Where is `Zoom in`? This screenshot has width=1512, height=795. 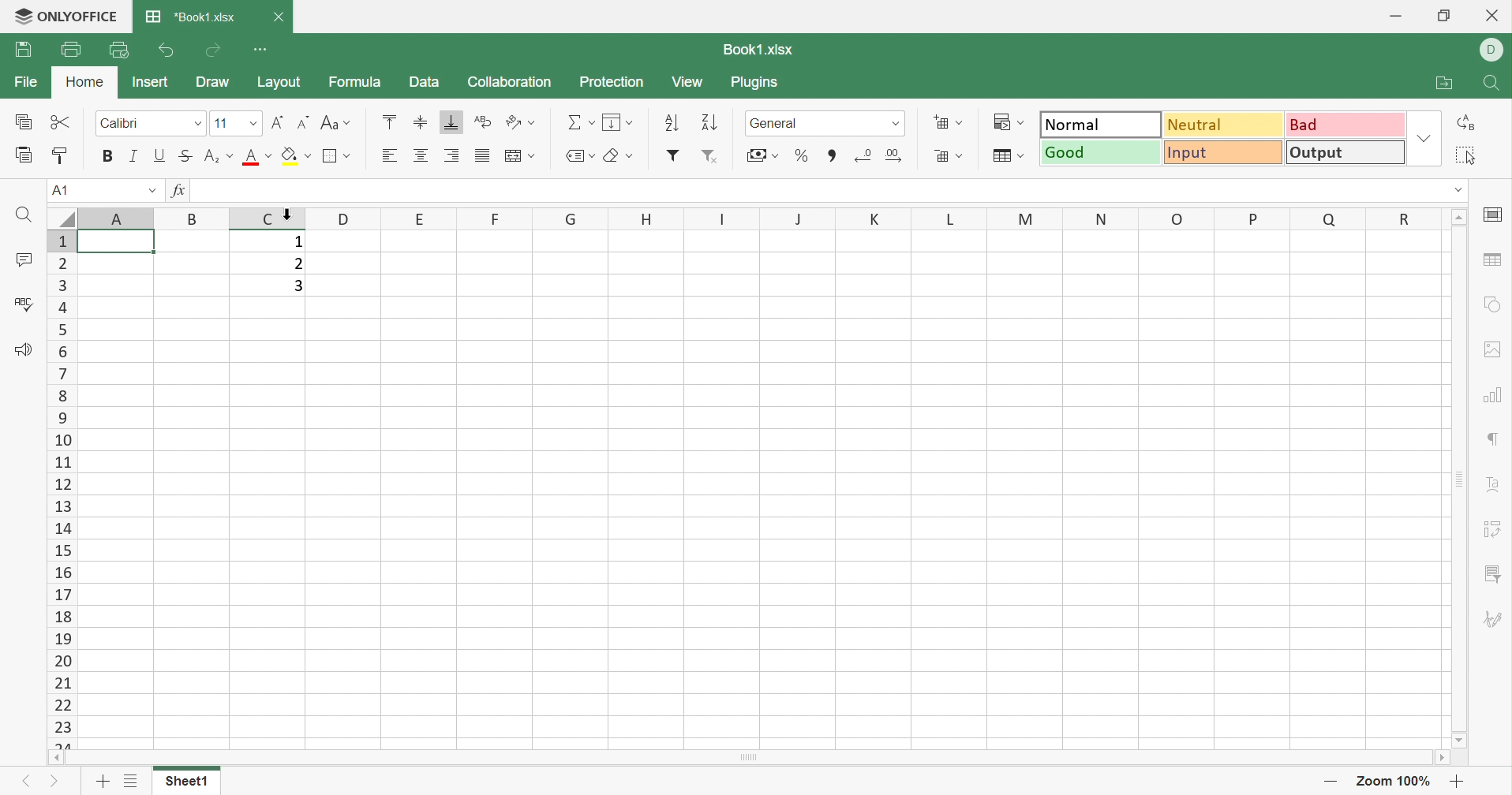
Zoom in is located at coordinates (1460, 780).